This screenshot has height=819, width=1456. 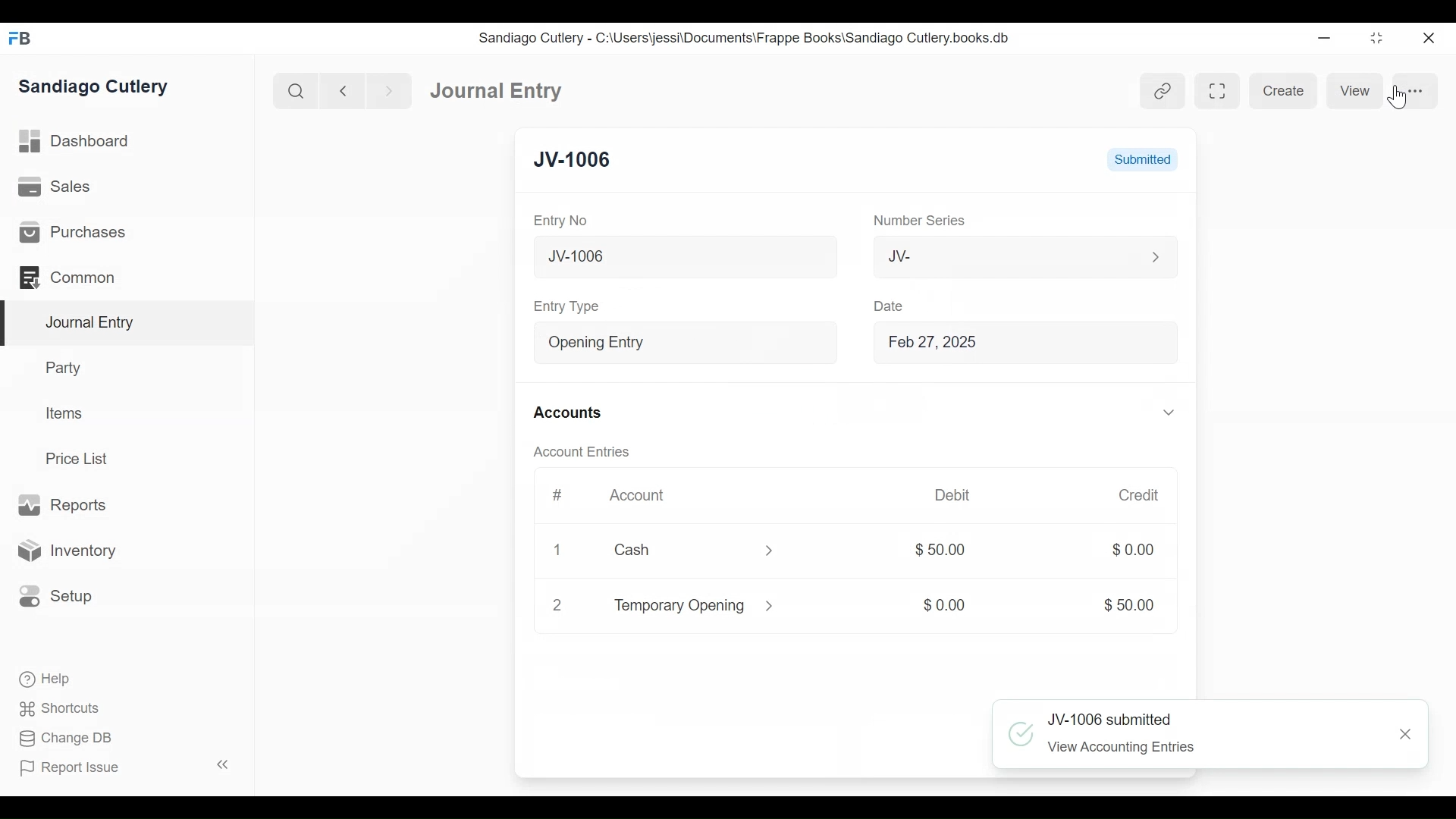 What do you see at coordinates (663, 343) in the screenshot?
I see `Entry Type` at bounding box center [663, 343].